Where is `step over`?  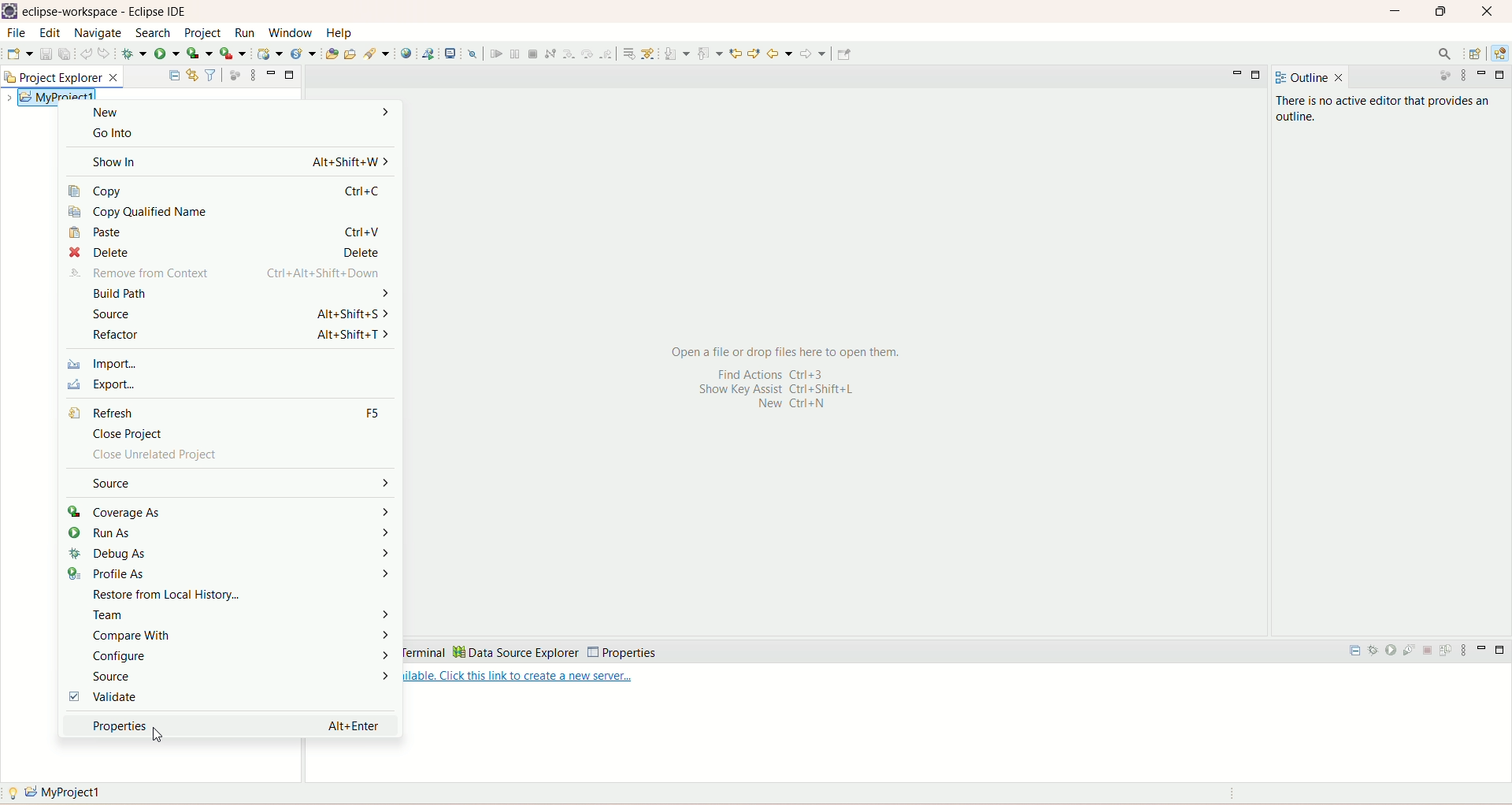 step over is located at coordinates (587, 54).